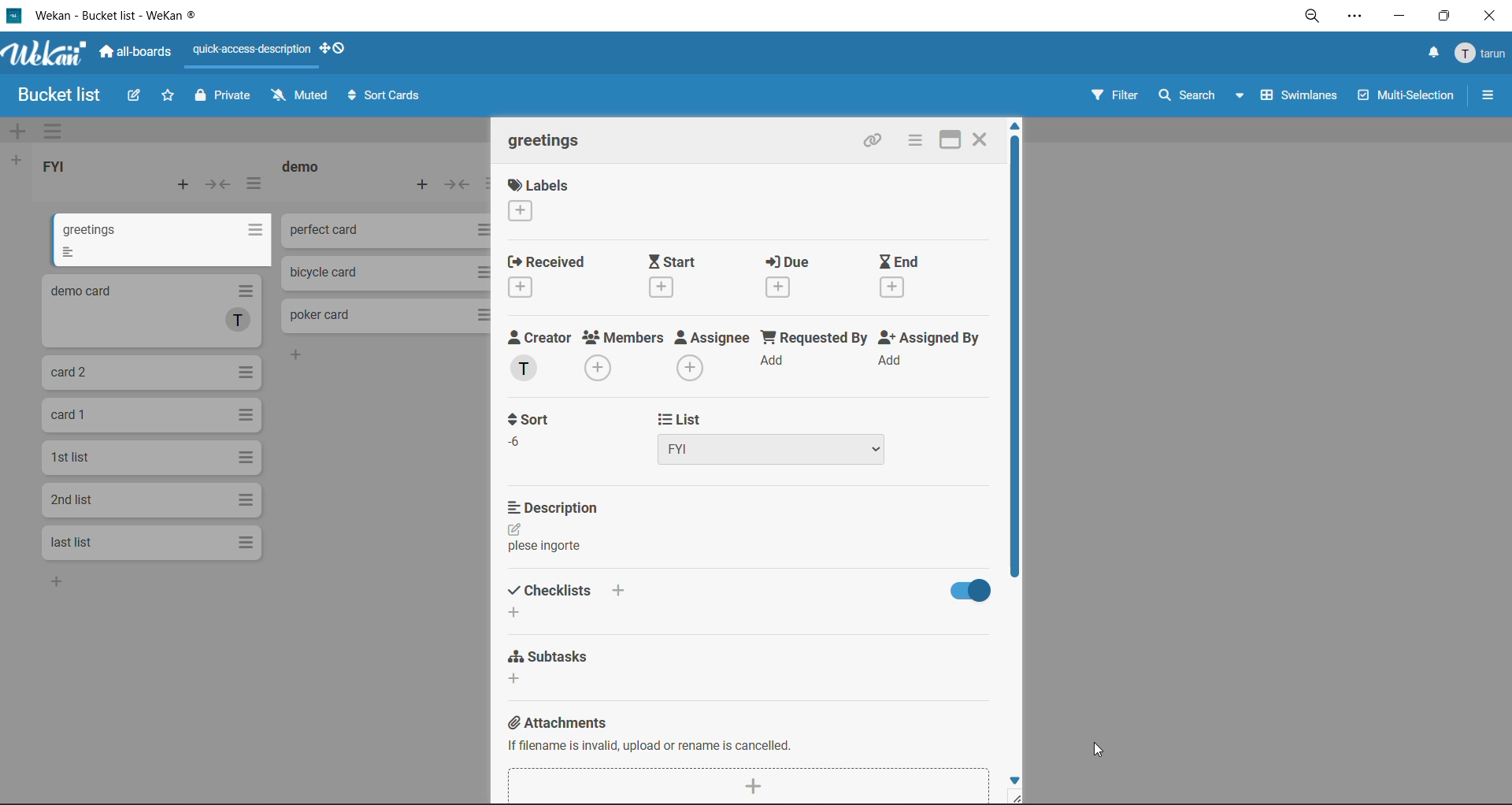 This screenshot has width=1512, height=805. Describe the element at coordinates (1476, 50) in the screenshot. I see `menu` at that location.